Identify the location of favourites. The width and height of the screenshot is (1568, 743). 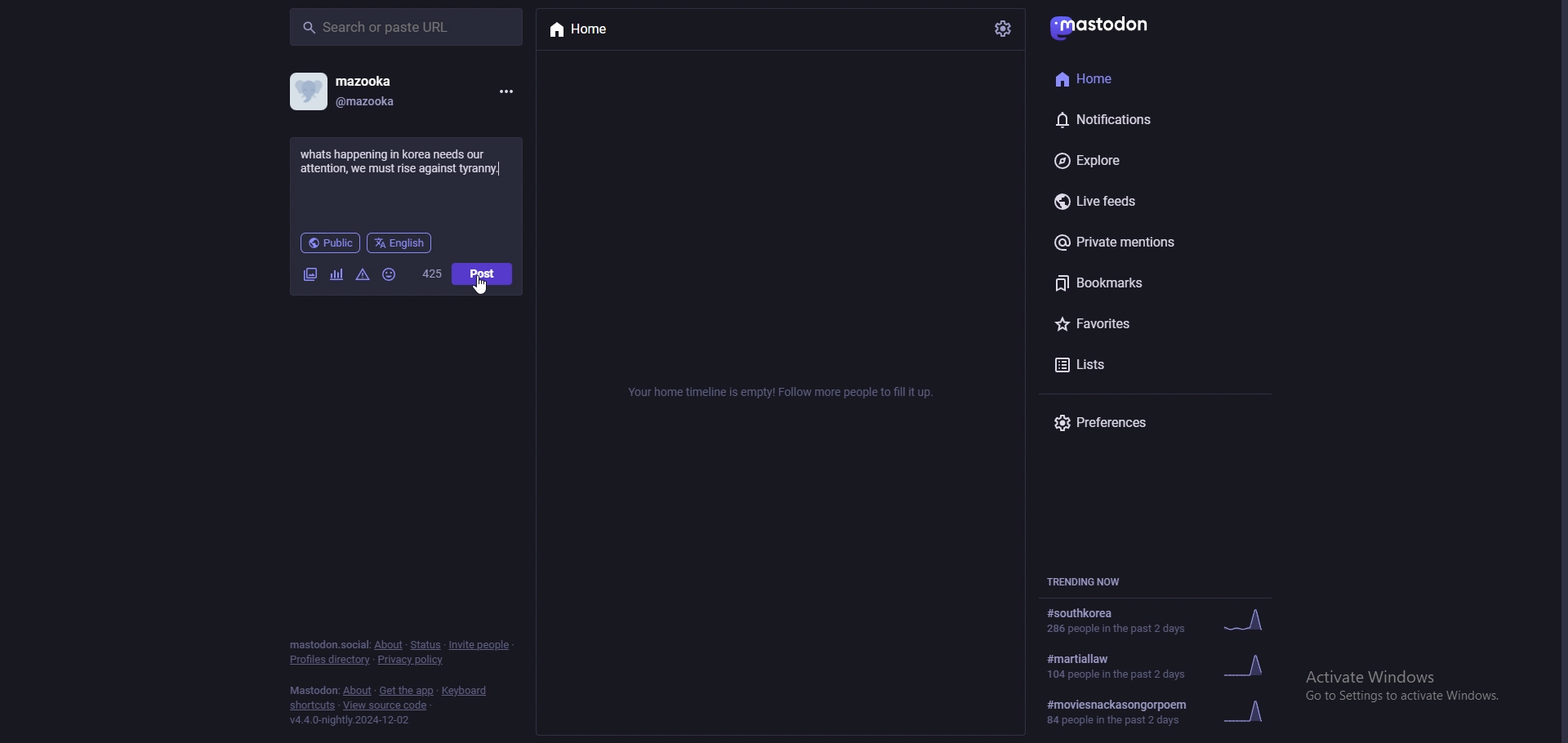
(1147, 327).